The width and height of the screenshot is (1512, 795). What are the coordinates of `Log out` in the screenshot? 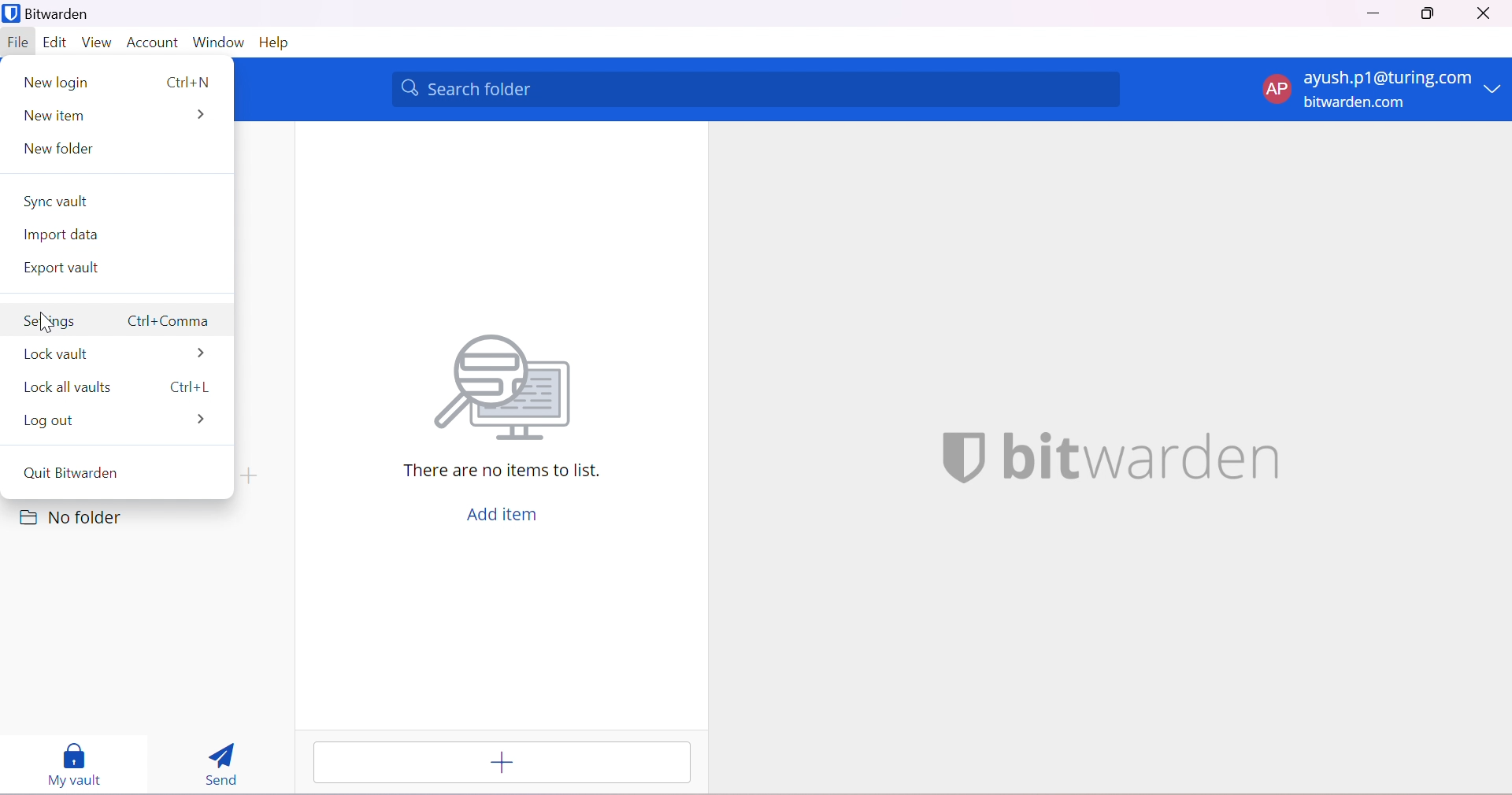 It's located at (53, 421).